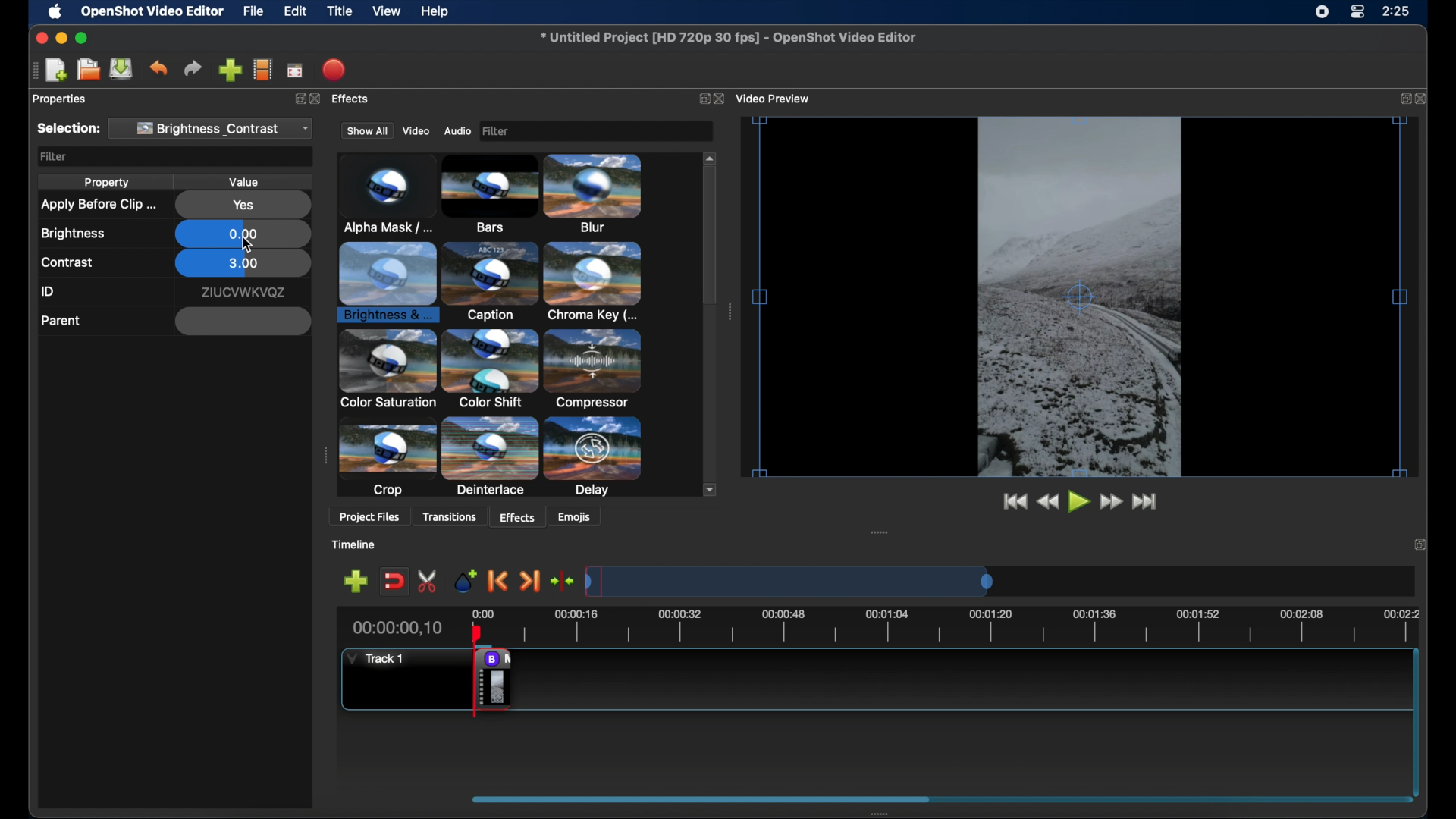 The width and height of the screenshot is (1456, 819). I want to click on undo, so click(158, 68).